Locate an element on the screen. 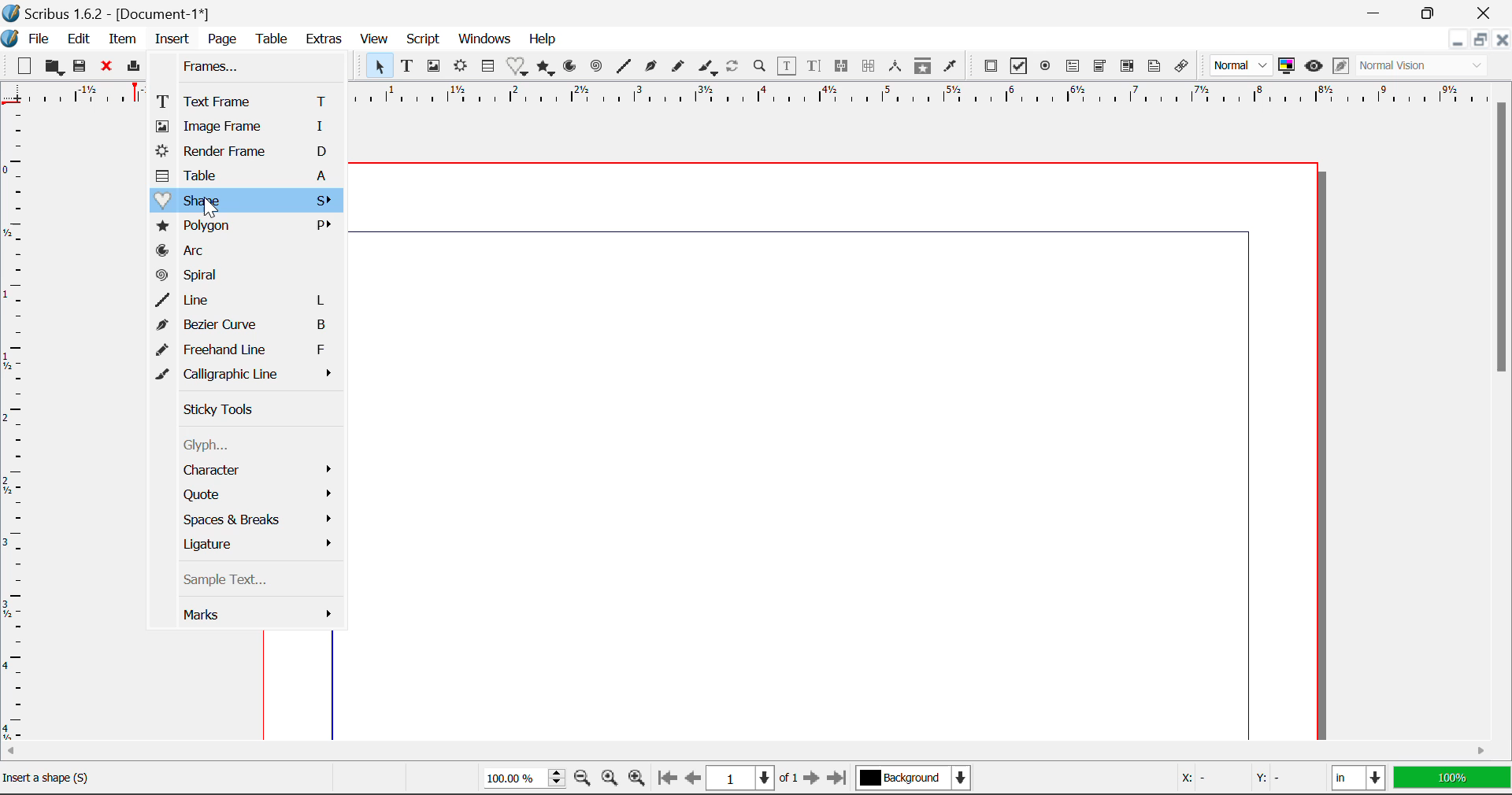 The height and width of the screenshot is (795, 1512). Select is located at coordinates (379, 66).